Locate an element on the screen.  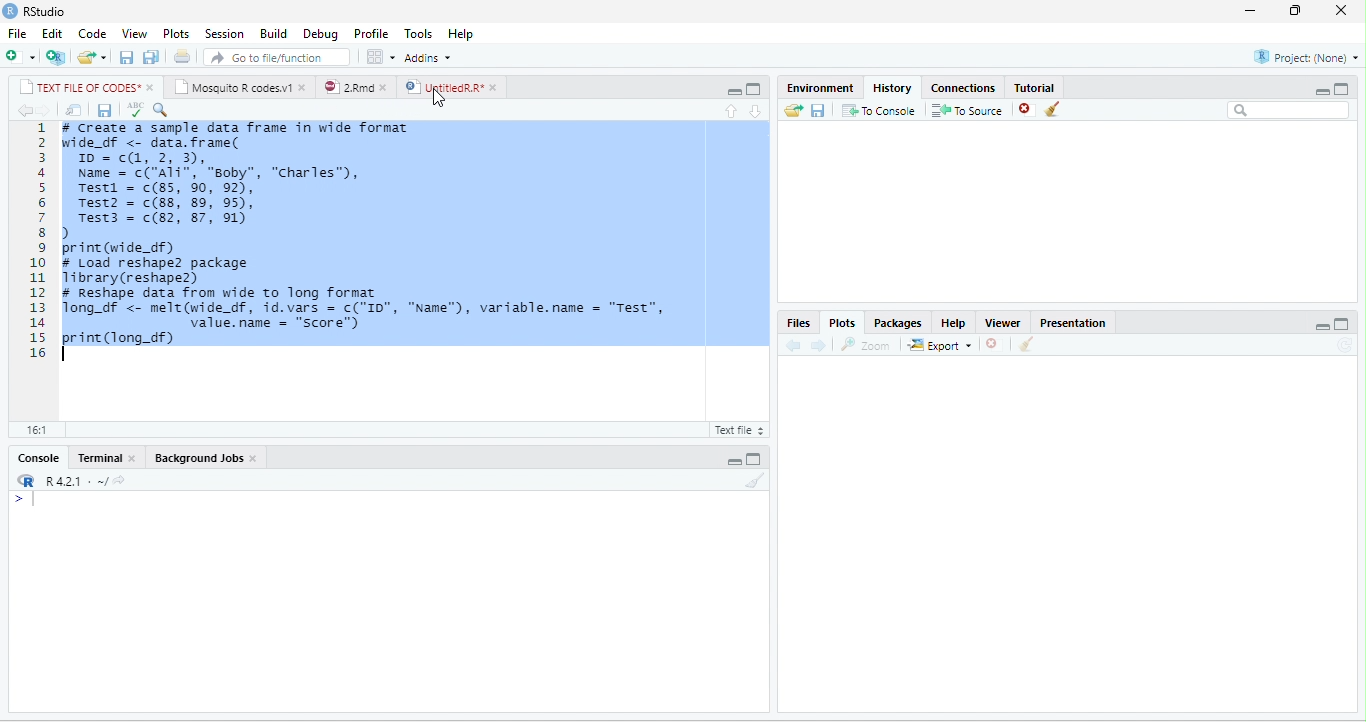
Addins is located at coordinates (428, 58).